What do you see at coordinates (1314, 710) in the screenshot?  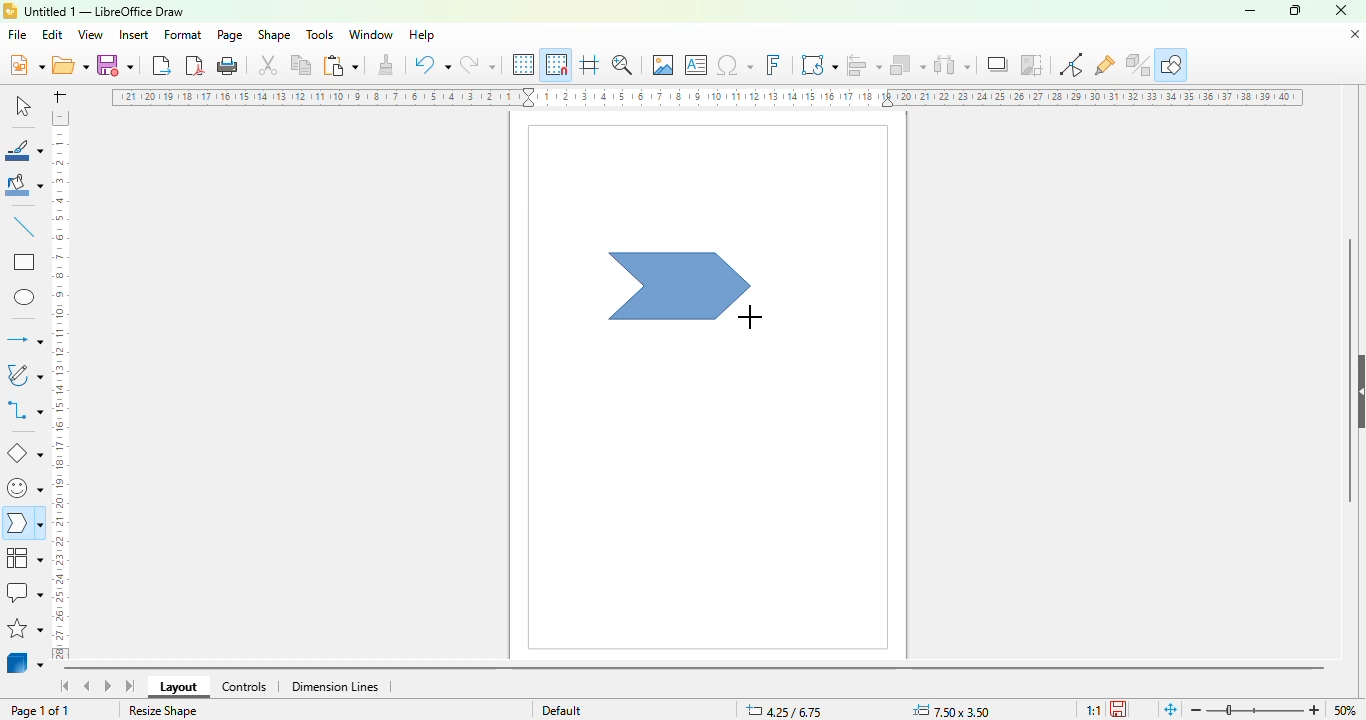 I see `zoom in` at bounding box center [1314, 710].